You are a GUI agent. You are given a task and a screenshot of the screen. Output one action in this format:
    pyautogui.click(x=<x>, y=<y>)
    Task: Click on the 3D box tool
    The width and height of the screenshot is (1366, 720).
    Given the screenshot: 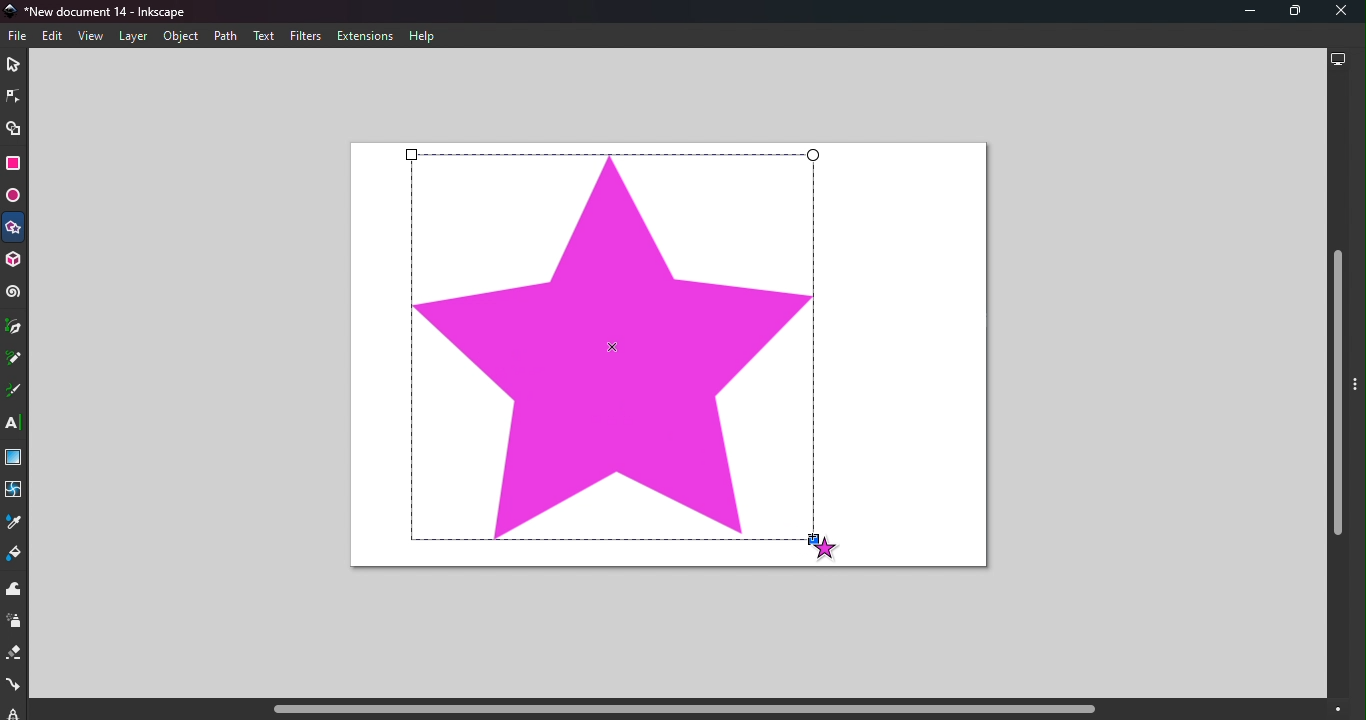 What is the action you would take?
    pyautogui.click(x=16, y=260)
    